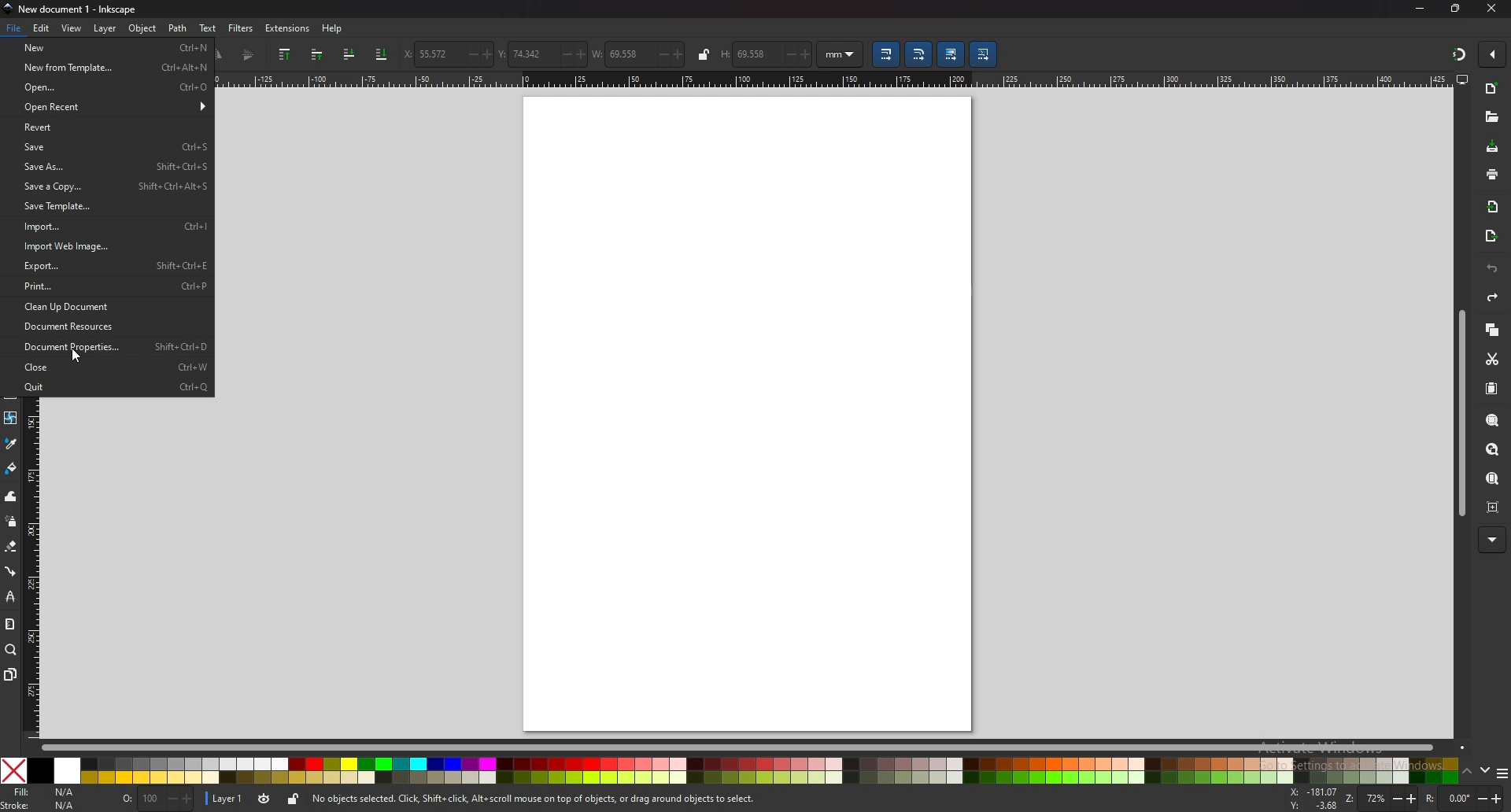 Image resolution: width=1511 pixels, height=812 pixels. What do you see at coordinates (557, 54) in the screenshot?
I see `-` at bounding box center [557, 54].